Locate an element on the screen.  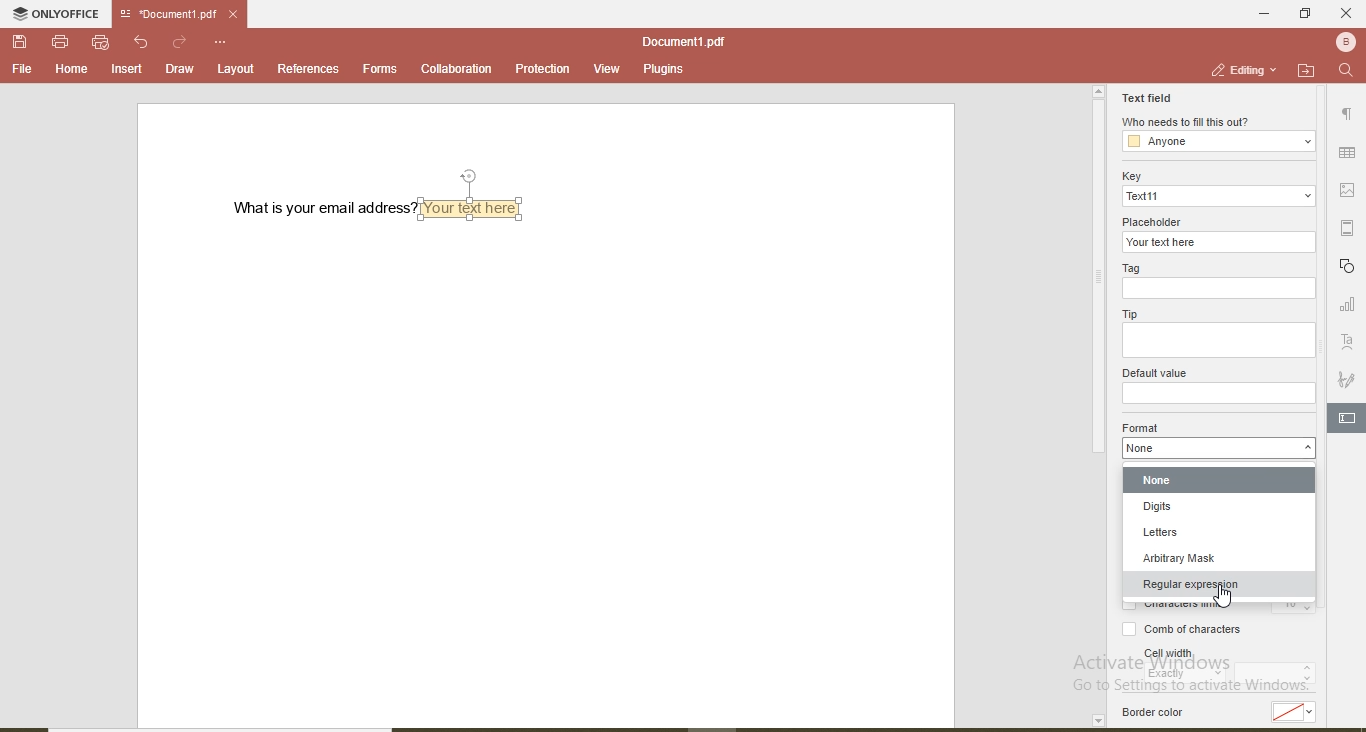
quick print is located at coordinates (101, 42).